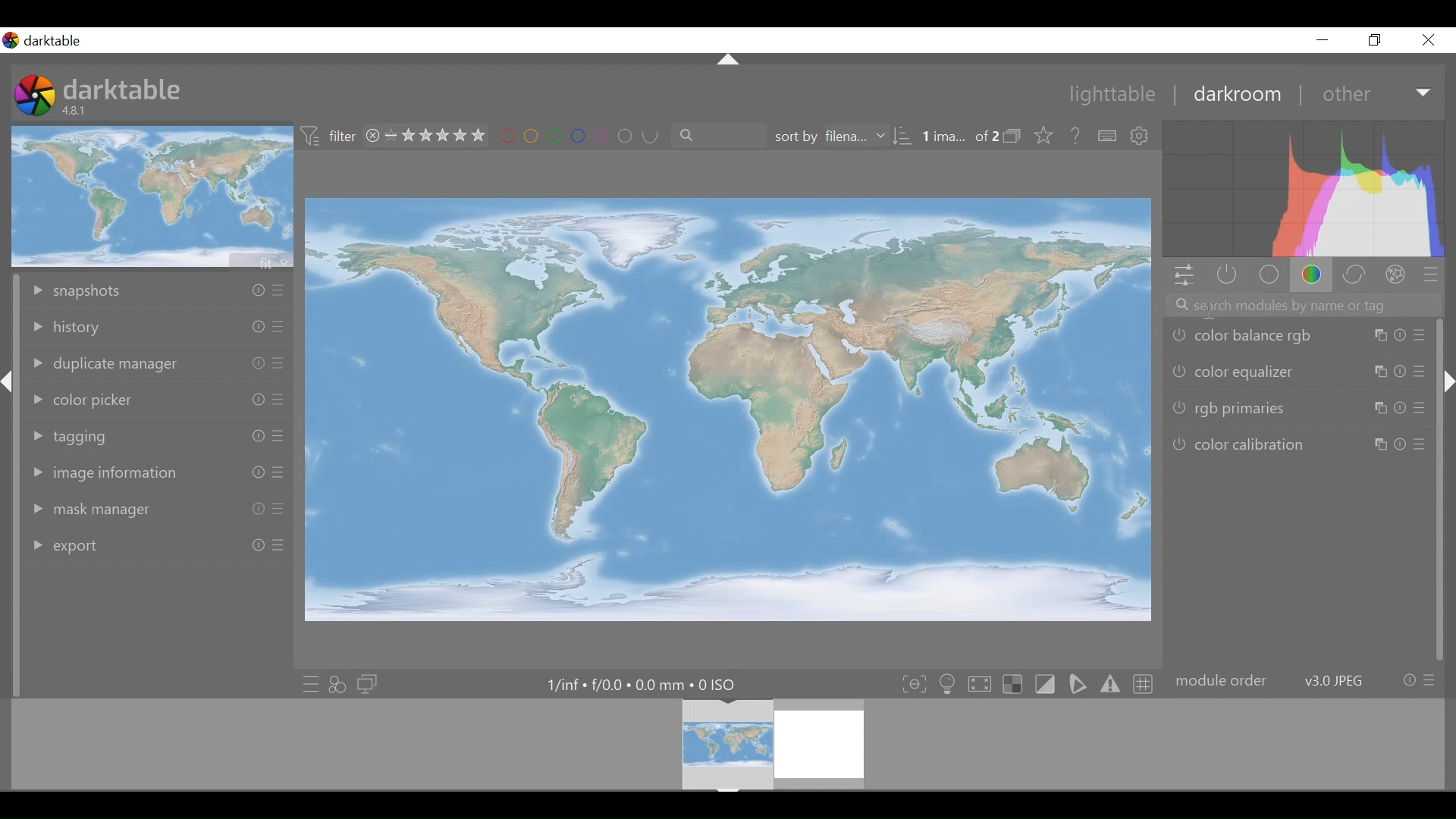 The width and height of the screenshot is (1456, 819). I want to click on color, so click(1312, 275).